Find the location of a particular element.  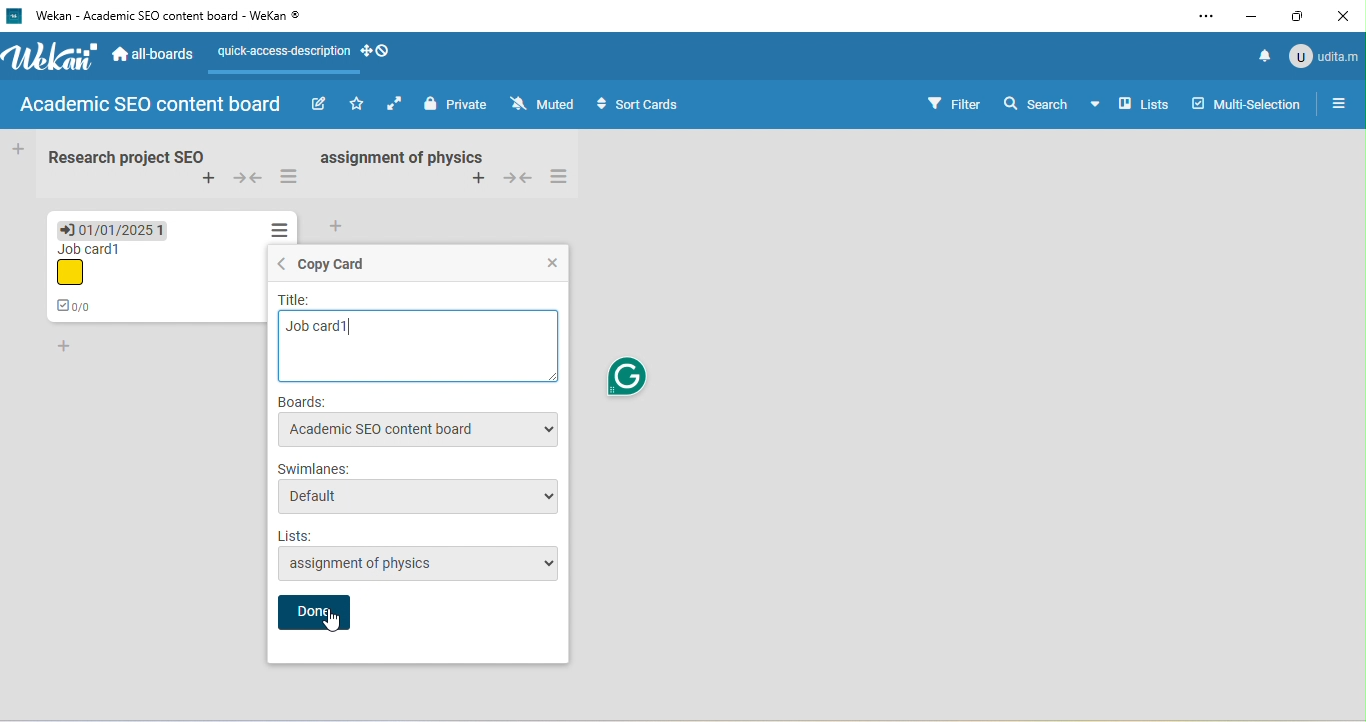

multi selection is located at coordinates (1250, 105).